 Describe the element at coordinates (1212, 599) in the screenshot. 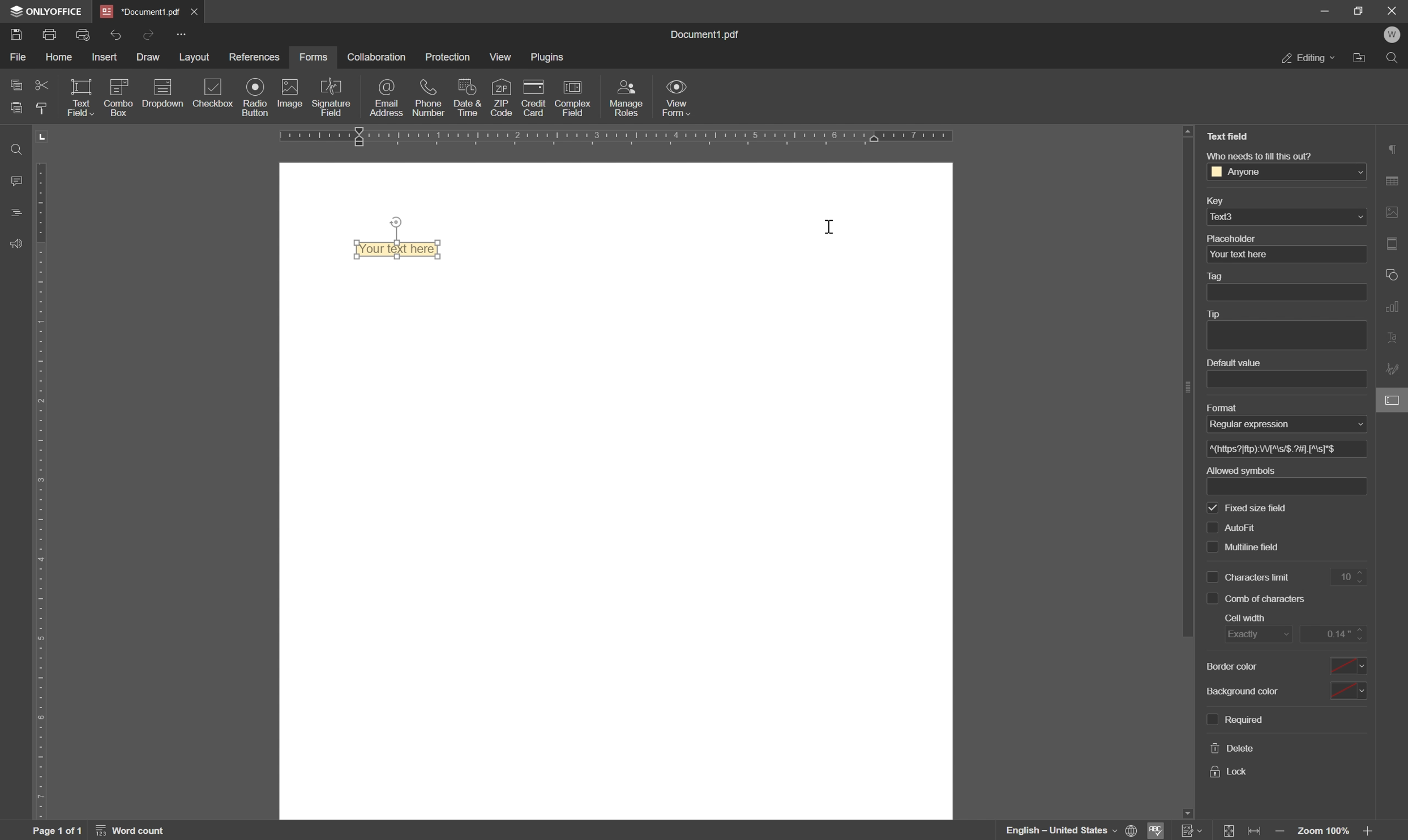

I see `check box` at that location.